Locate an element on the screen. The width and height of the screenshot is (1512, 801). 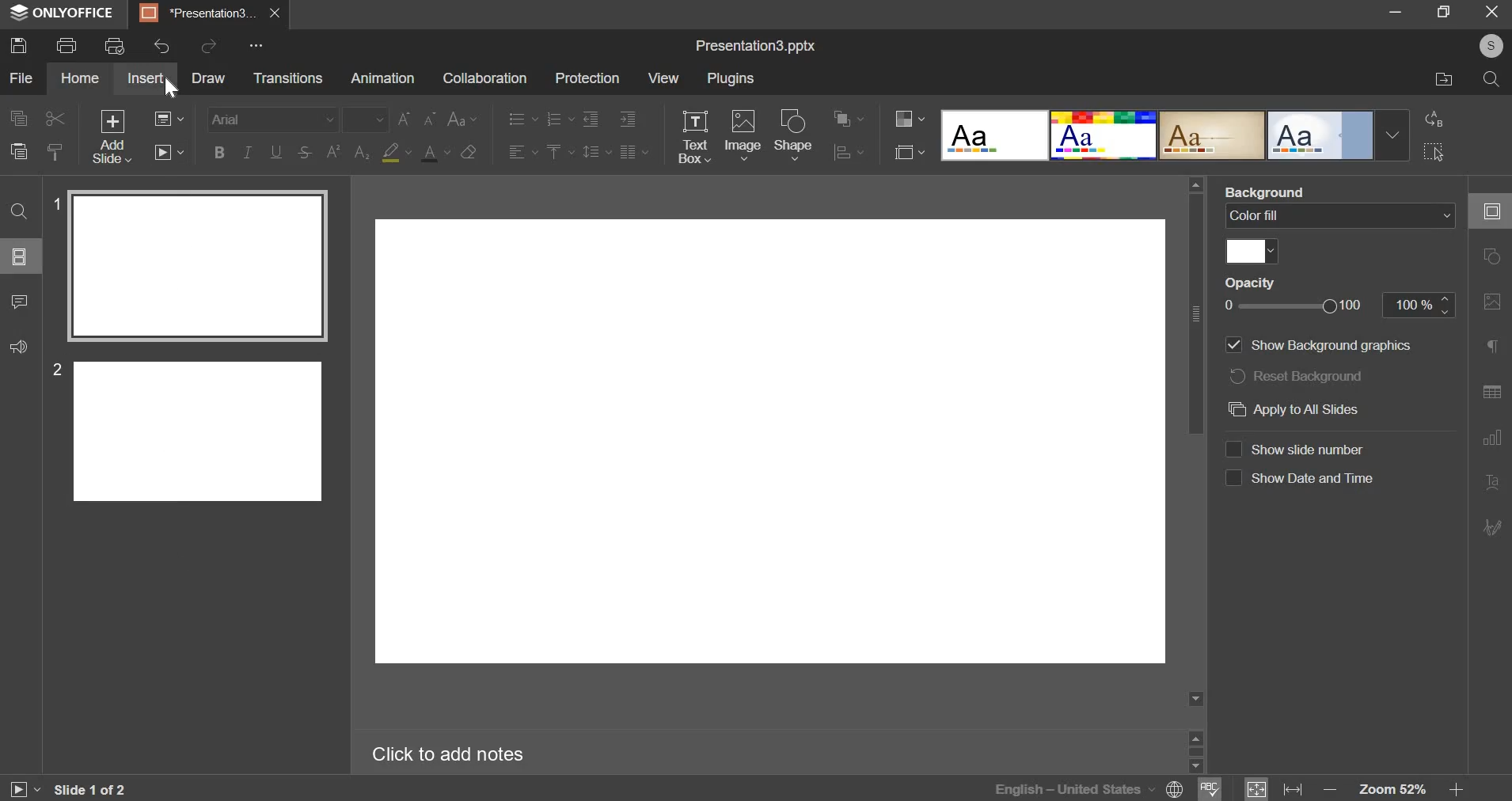
opacity is located at coordinates (1300, 305).